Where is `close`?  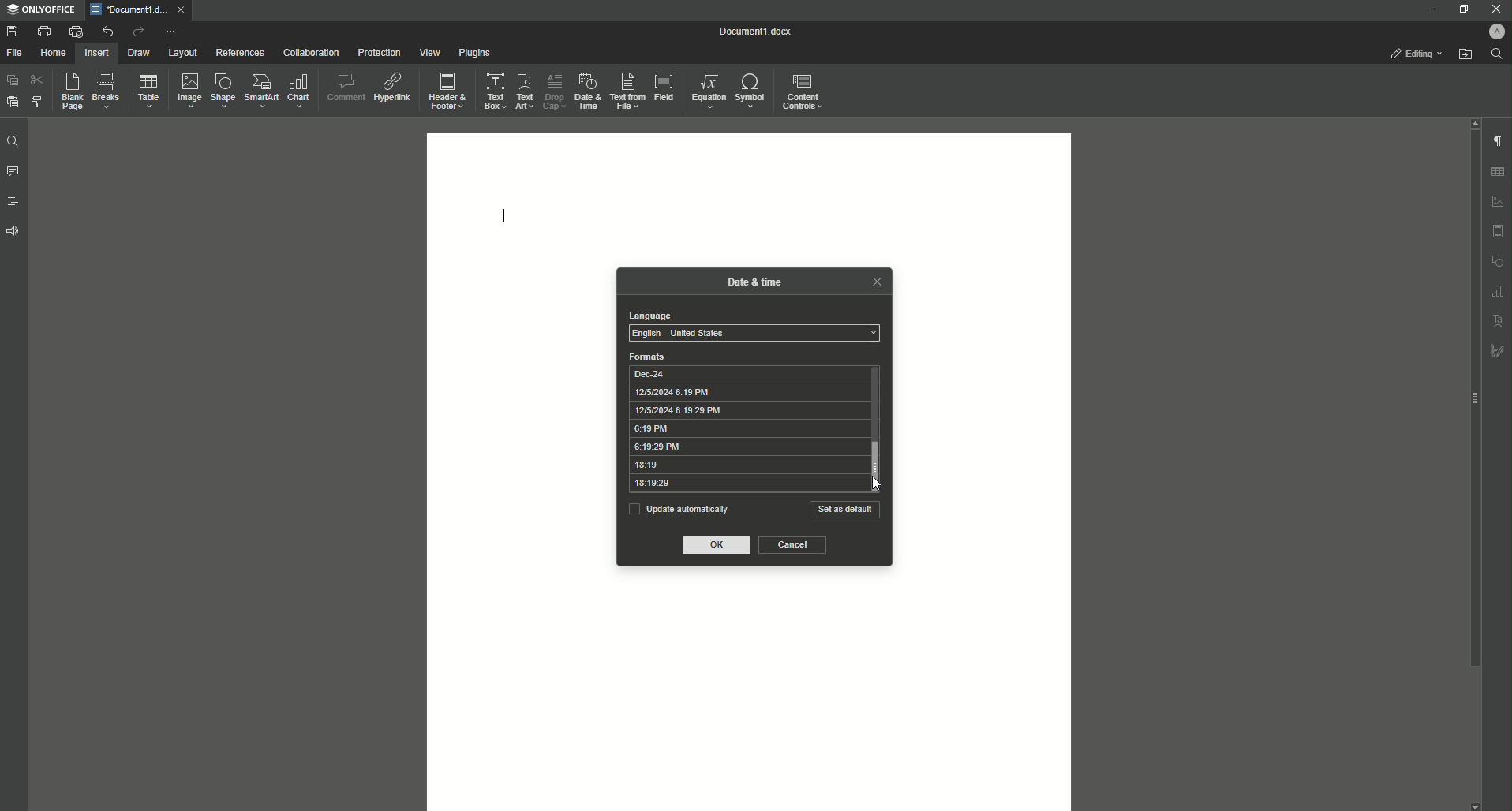 close is located at coordinates (876, 281).